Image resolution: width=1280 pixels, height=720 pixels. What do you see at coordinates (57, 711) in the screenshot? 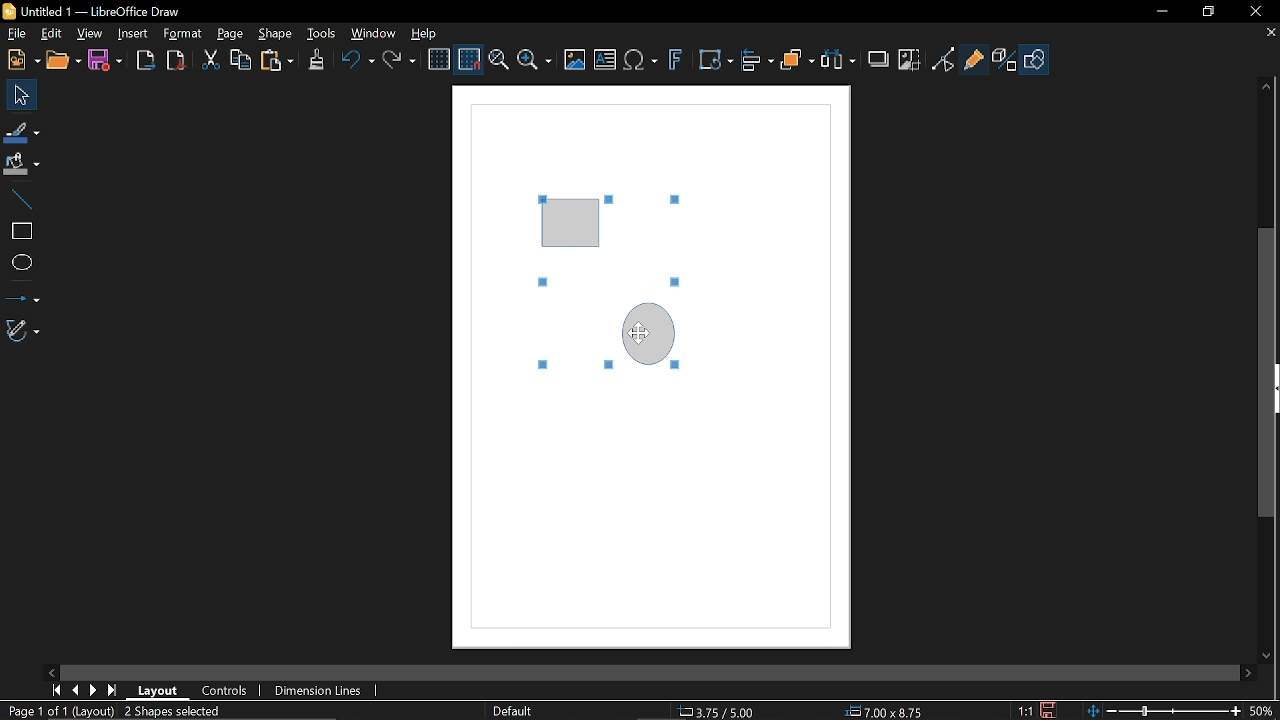
I see `Current page` at bounding box center [57, 711].